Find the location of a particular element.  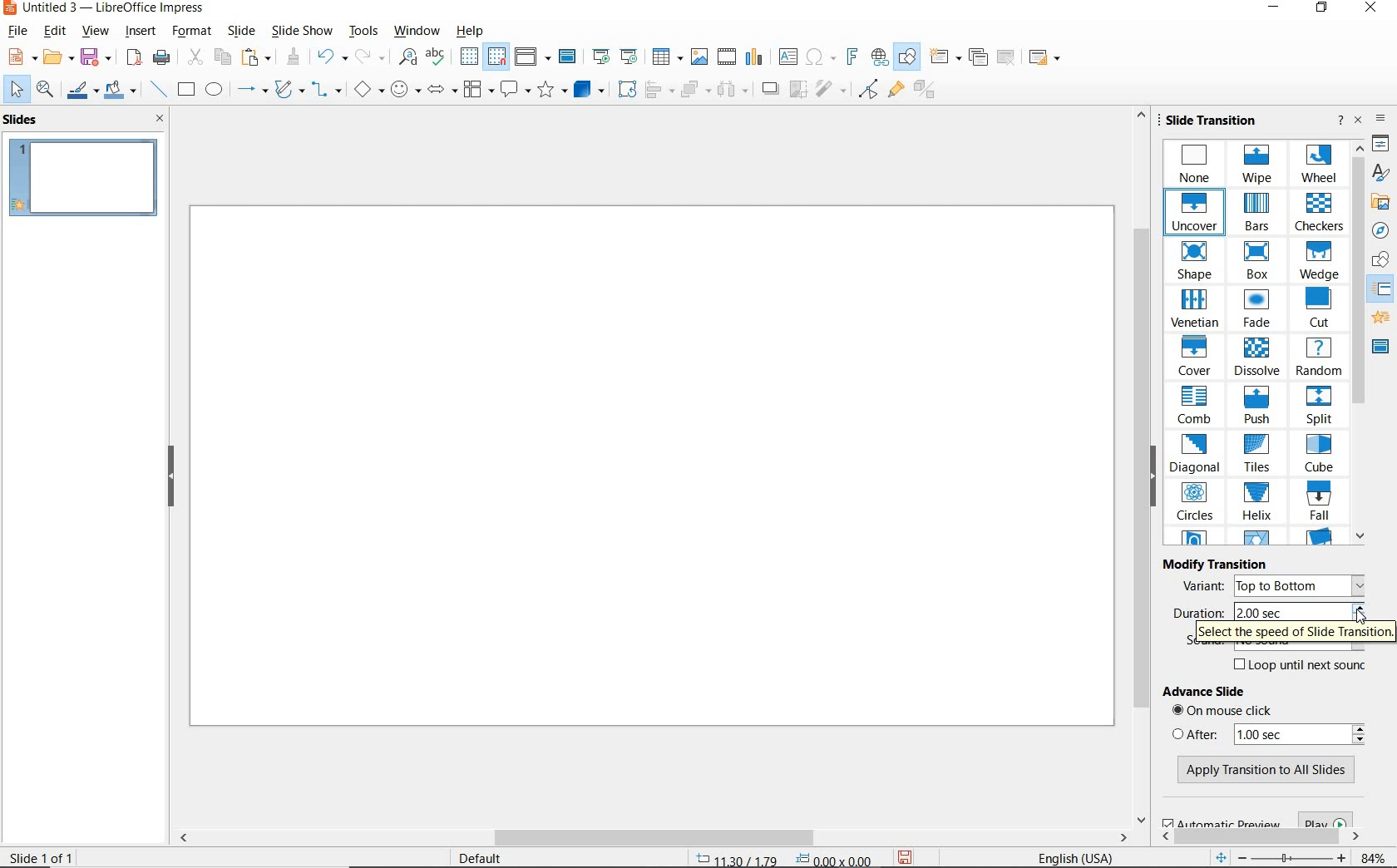

INSERT LINE is located at coordinates (160, 90).